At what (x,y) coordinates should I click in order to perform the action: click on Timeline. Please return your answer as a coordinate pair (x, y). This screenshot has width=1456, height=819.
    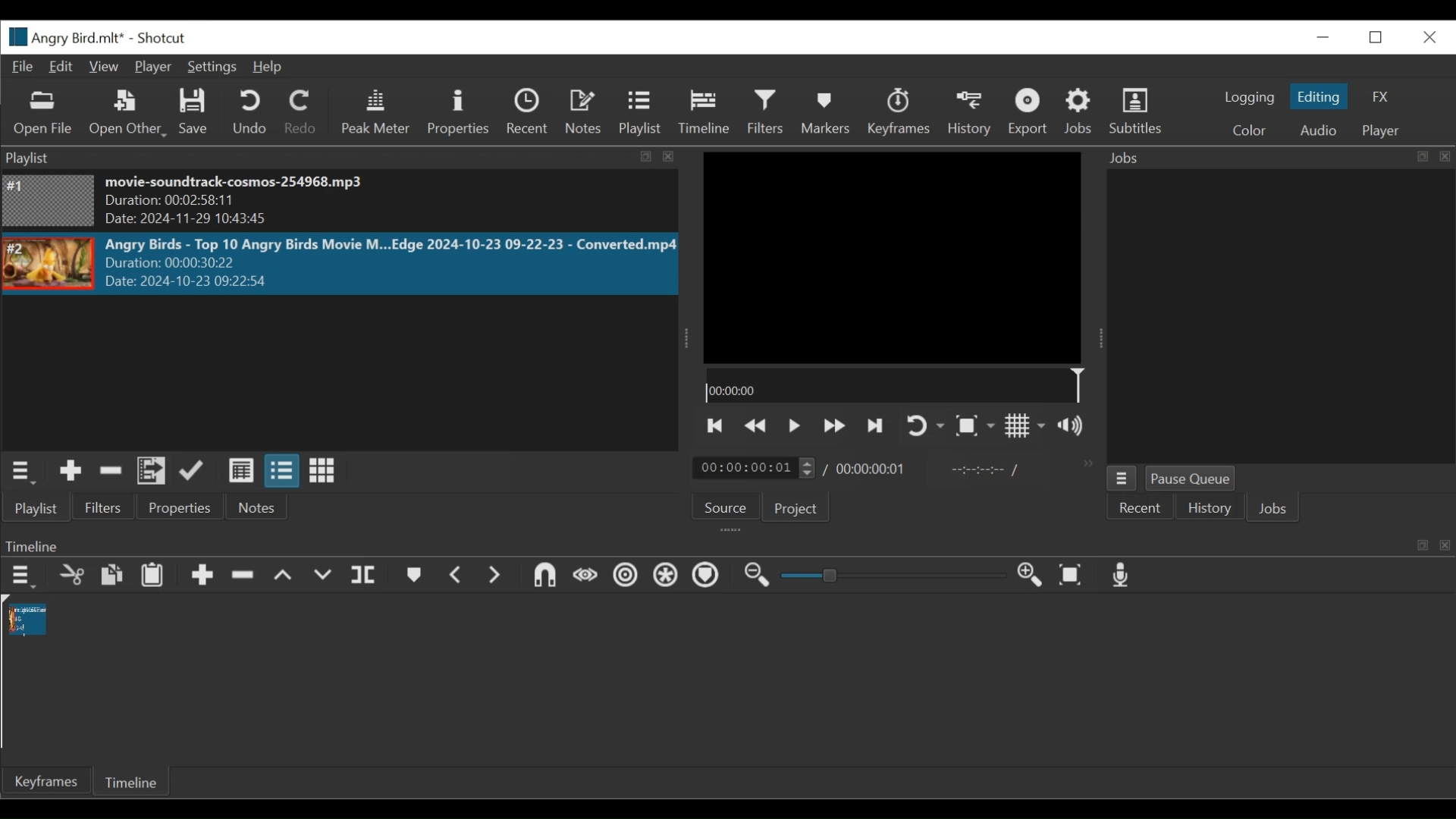
    Looking at the image, I should click on (703, 112).